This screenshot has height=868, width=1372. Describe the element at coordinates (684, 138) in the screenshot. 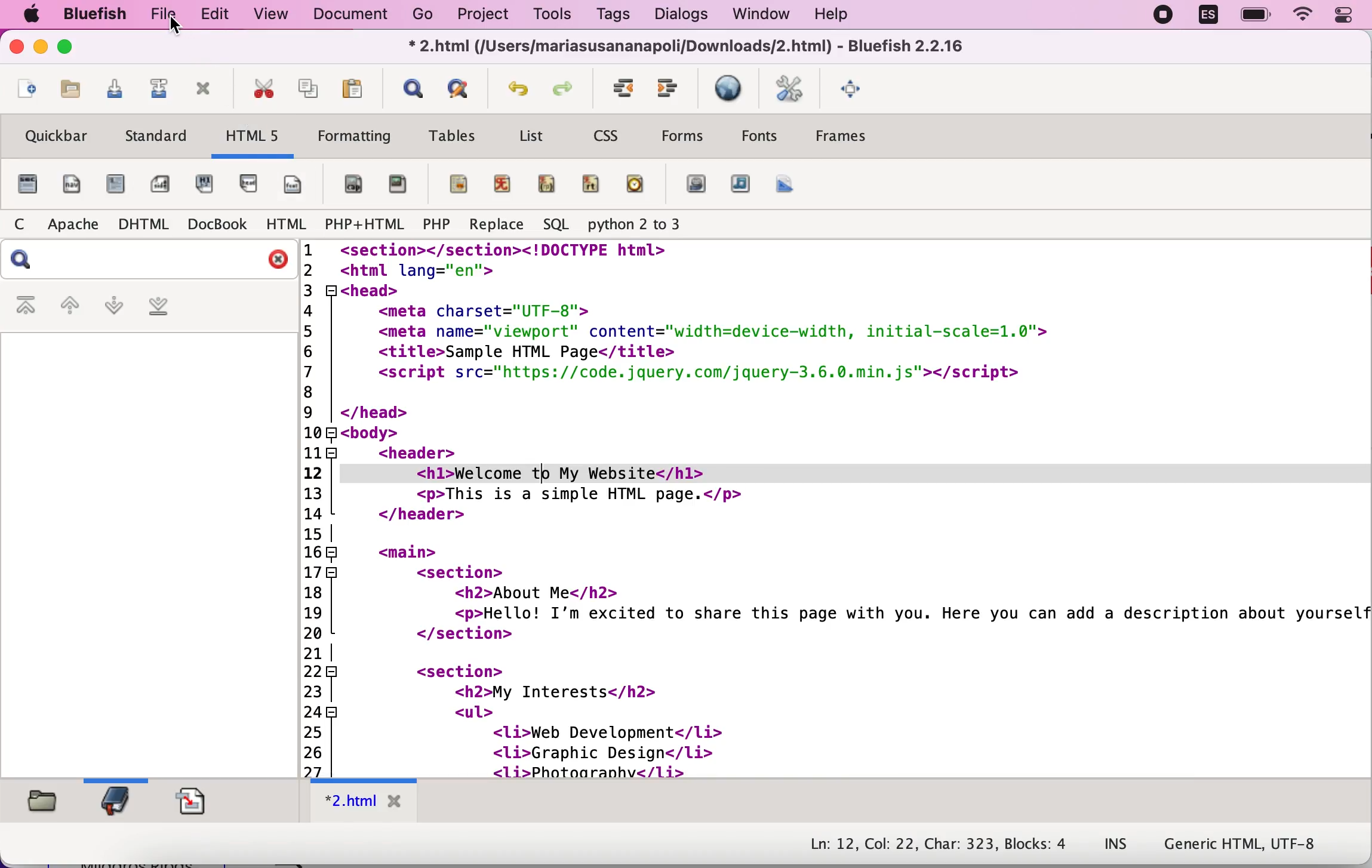

I see `forms` at that location.